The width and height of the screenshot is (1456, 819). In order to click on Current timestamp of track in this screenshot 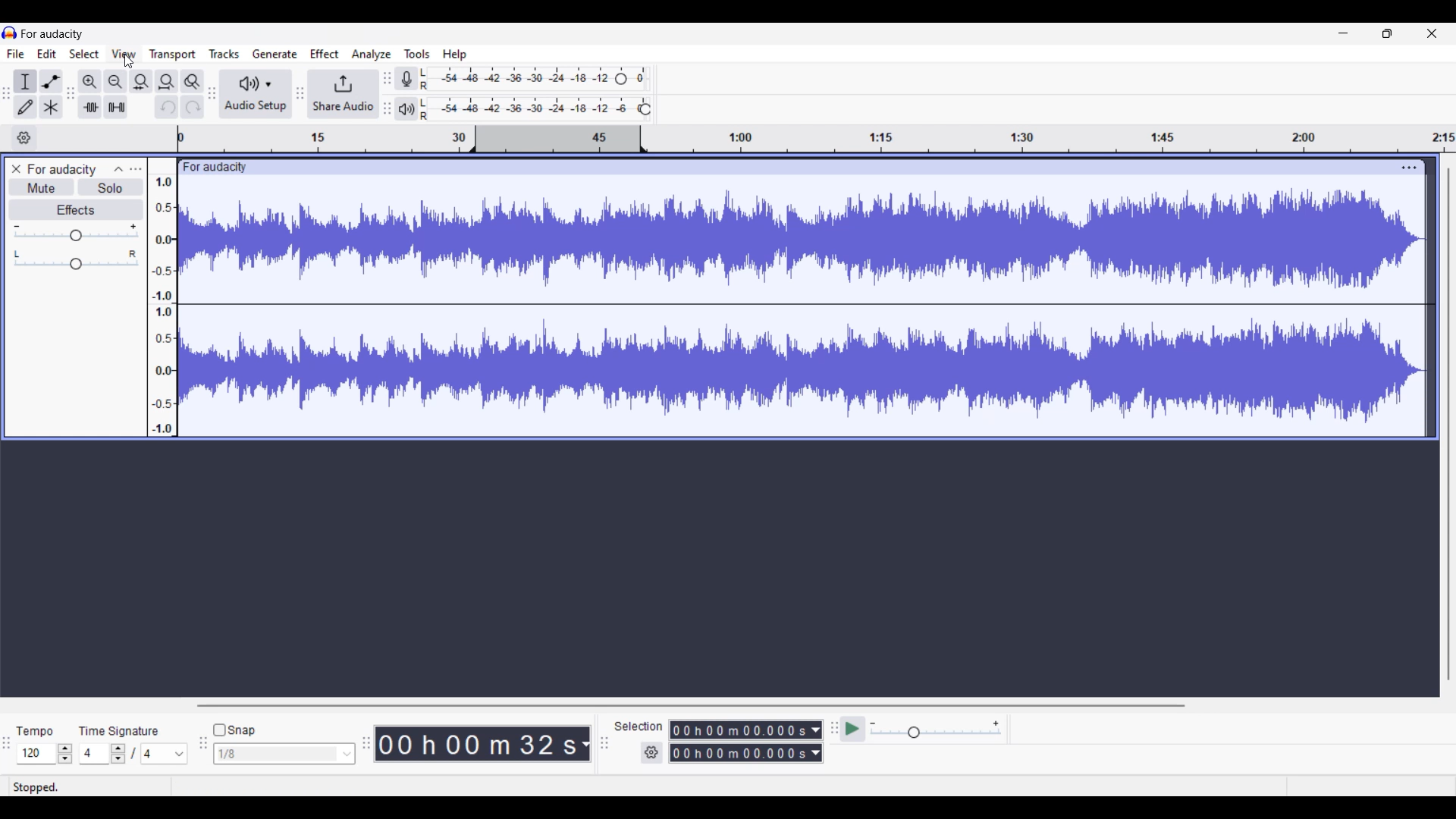, I will do `click(476, 743)`.